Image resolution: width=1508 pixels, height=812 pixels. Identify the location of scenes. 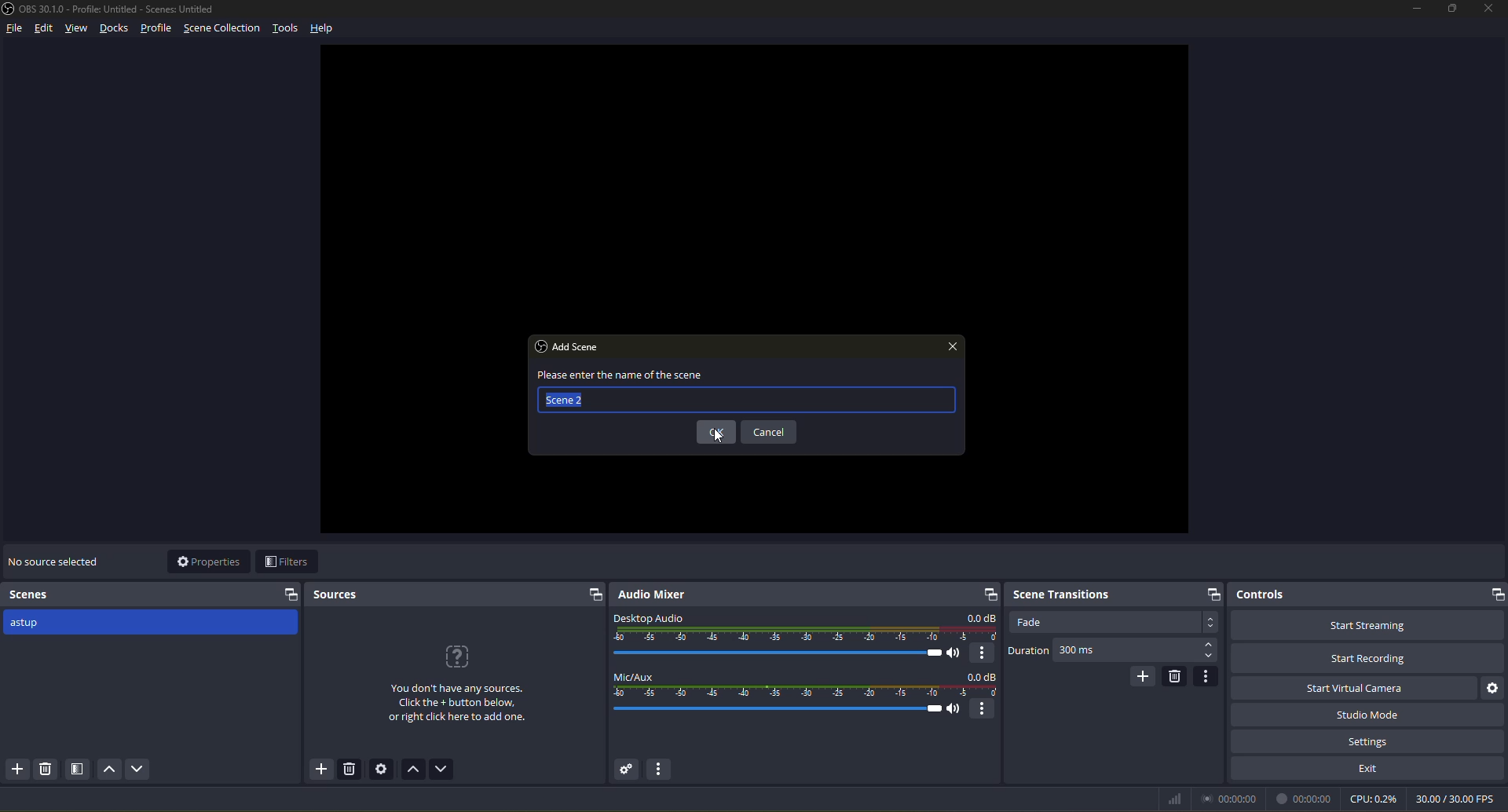
(31, 594).